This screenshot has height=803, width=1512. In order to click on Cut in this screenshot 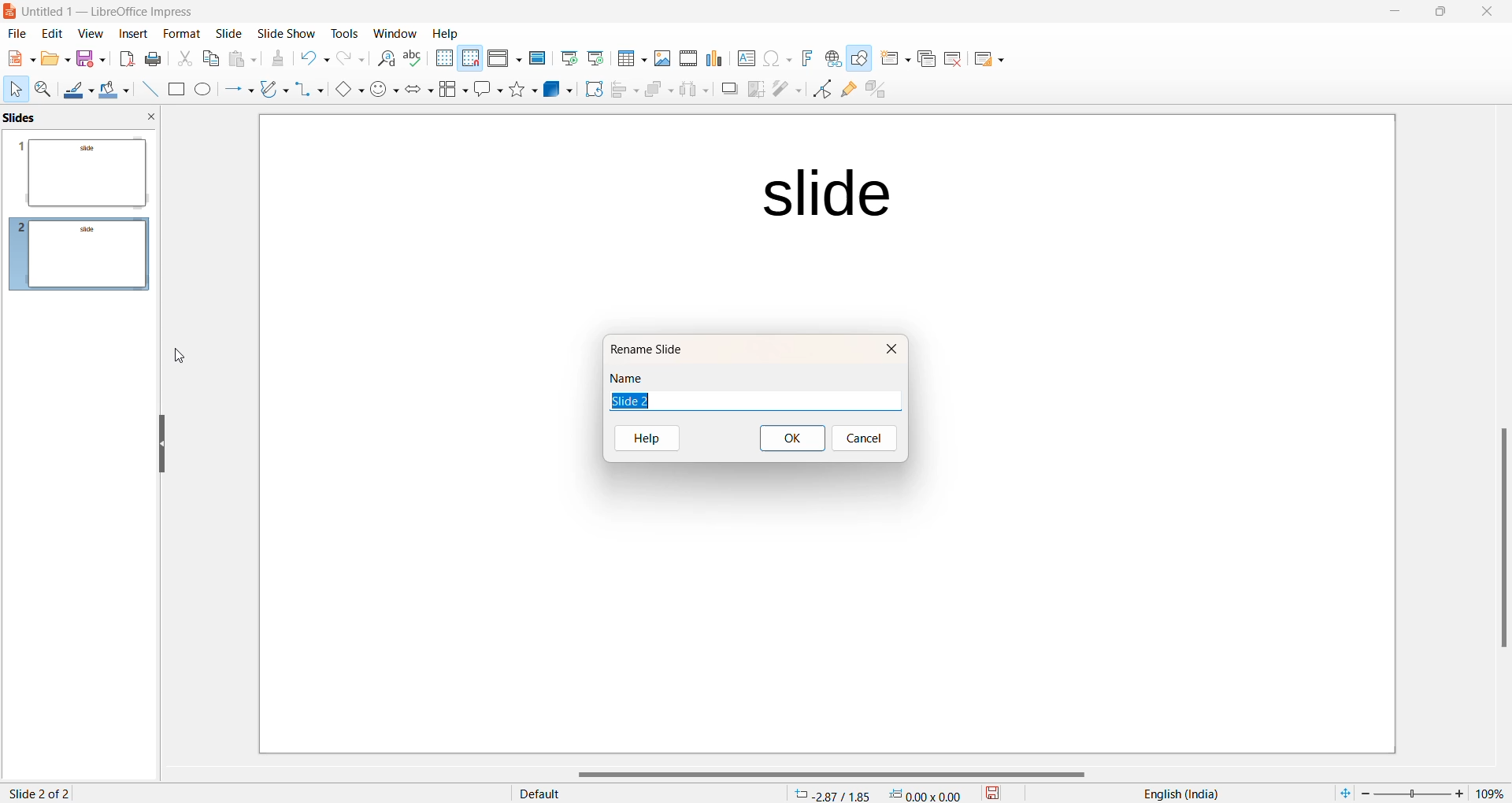, I will do `click(183, 57)`.